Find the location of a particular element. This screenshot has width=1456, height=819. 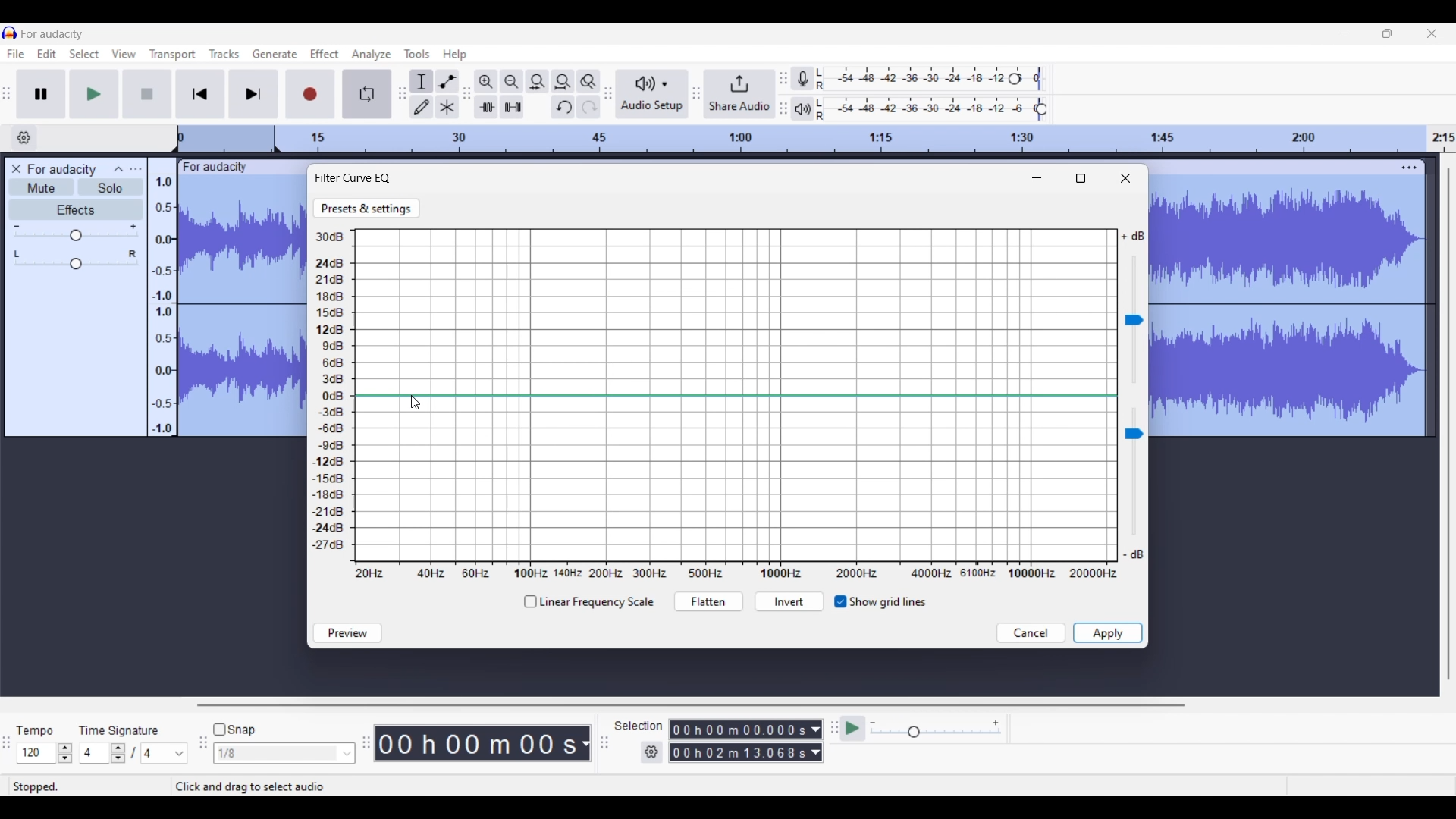

Help menu is located at coordinates (454, 55).